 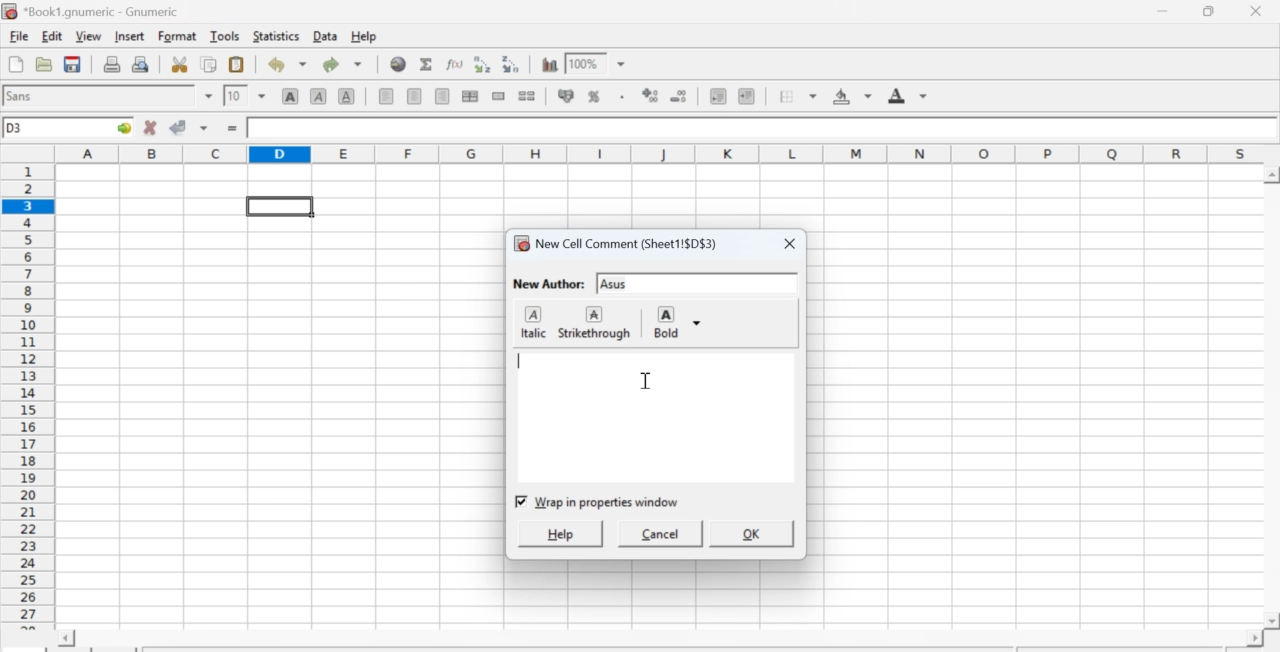 I want to click on Copy, so click(x=212, y=65).